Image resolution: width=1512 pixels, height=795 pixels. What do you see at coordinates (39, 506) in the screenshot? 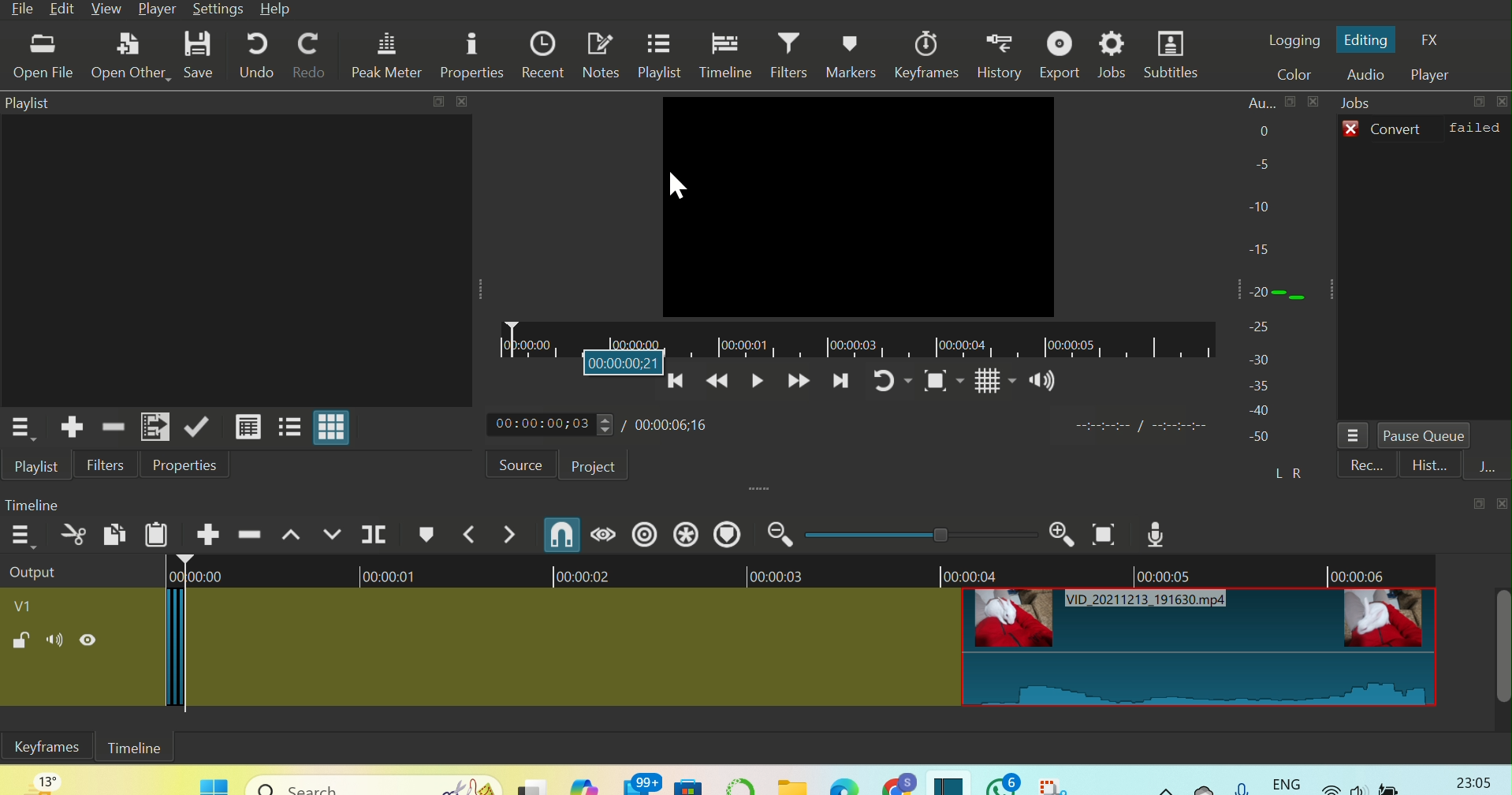
I see `Timeline` at bounding box center [39, 506].